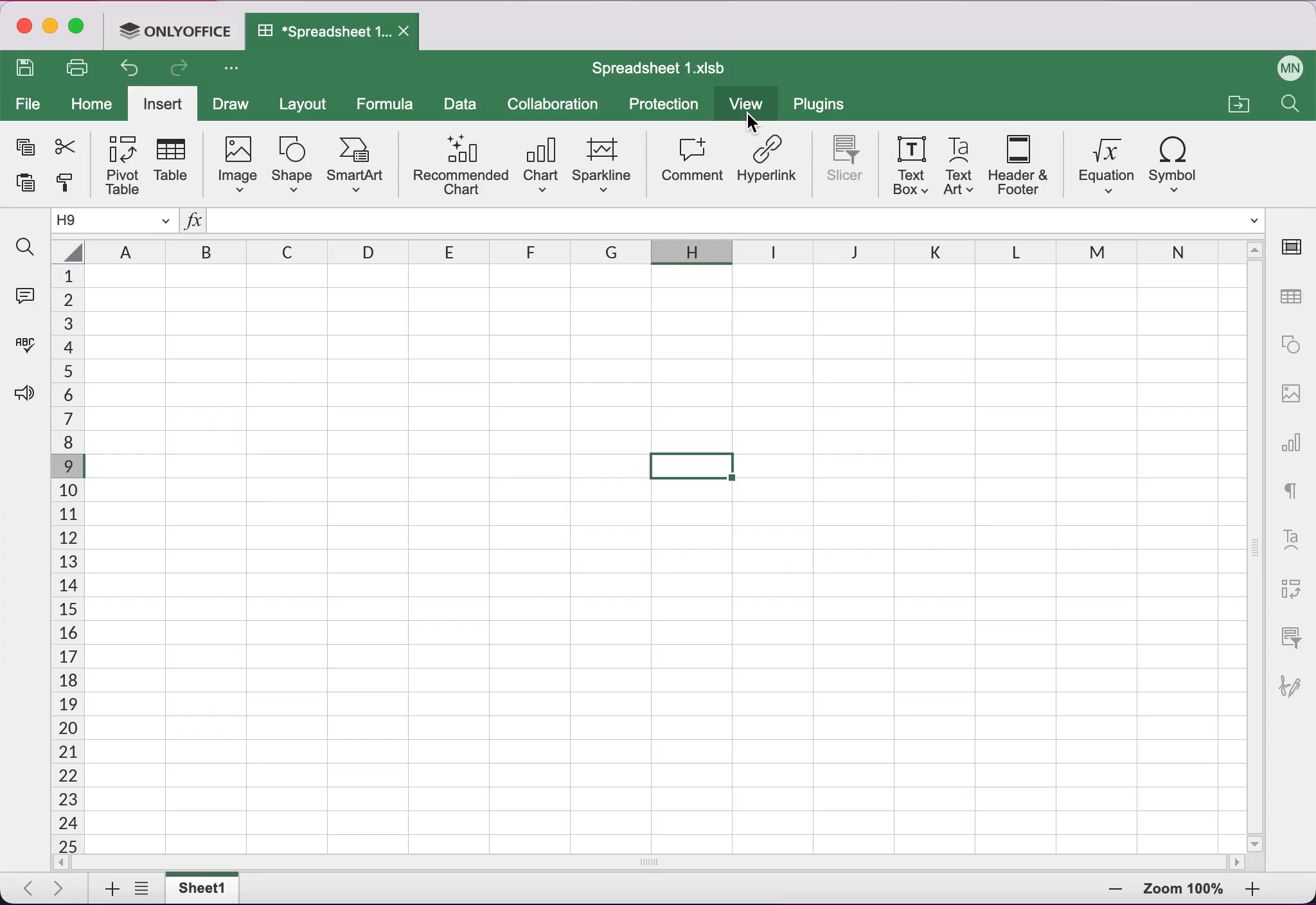 The height and width of the screenshot is (905, 1316). I want to click on undo, so click(132, 69).